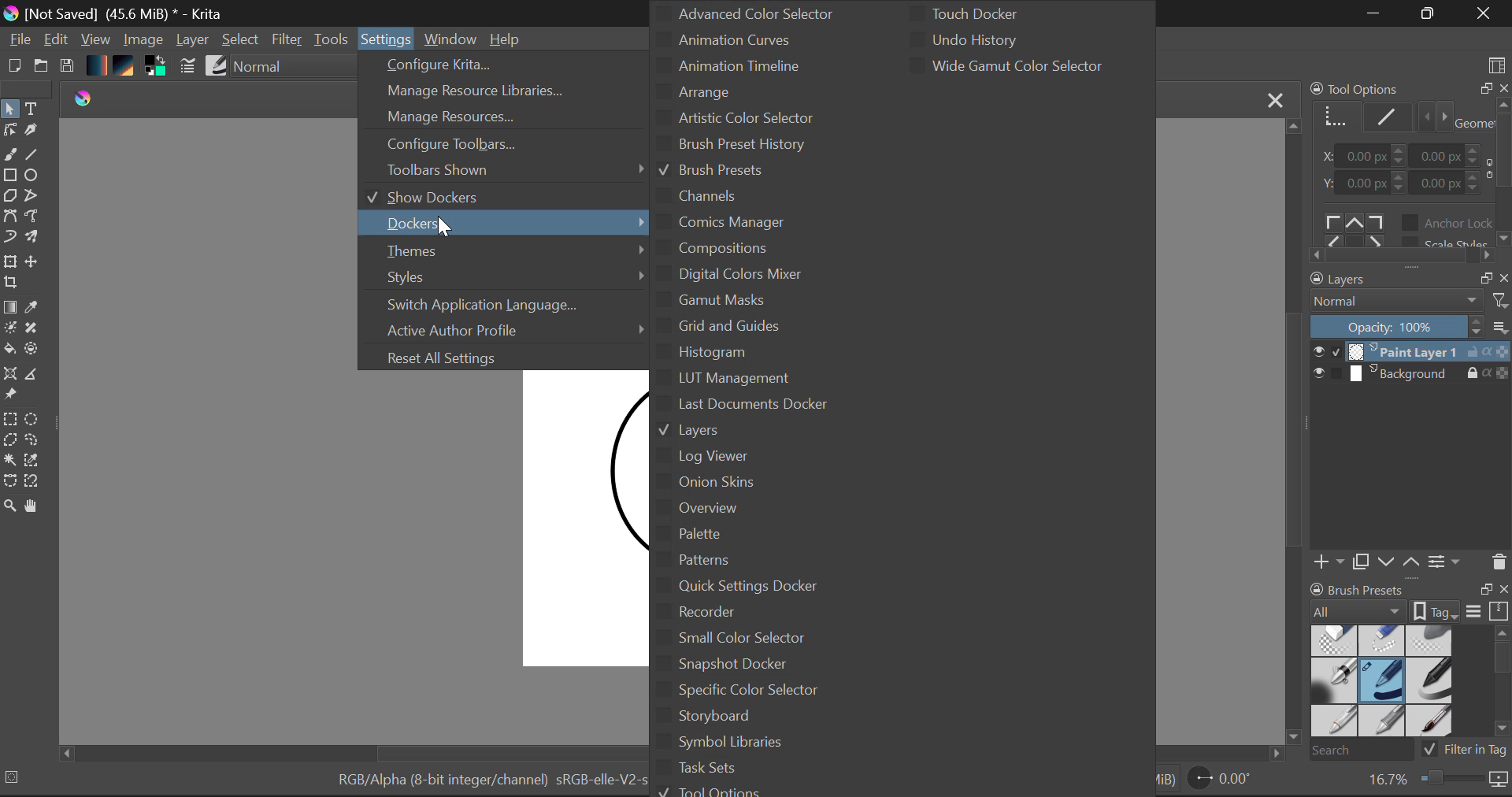  I want to click on Docket, so click(498, 224).